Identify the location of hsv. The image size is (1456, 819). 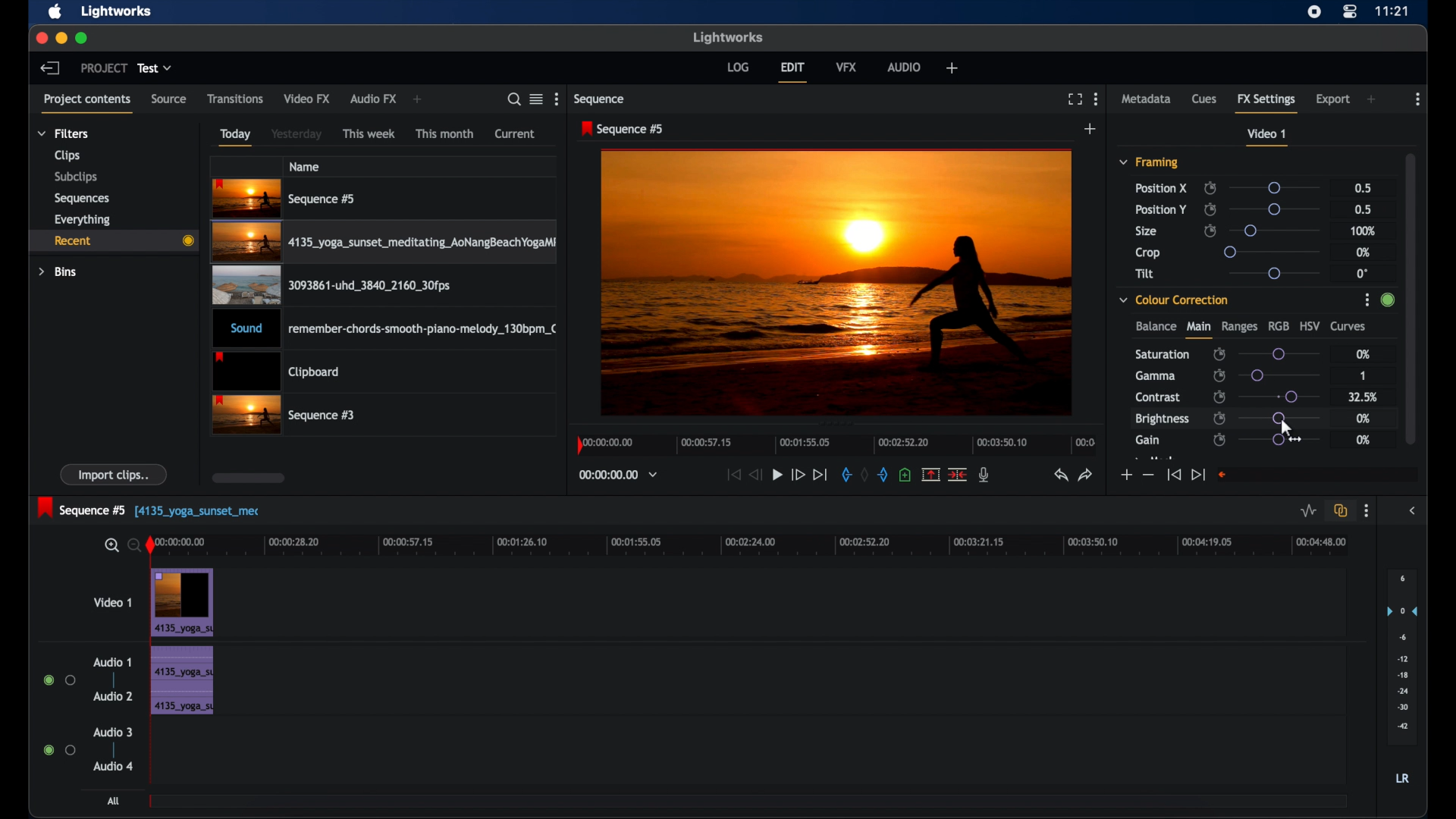
(1310, 325).